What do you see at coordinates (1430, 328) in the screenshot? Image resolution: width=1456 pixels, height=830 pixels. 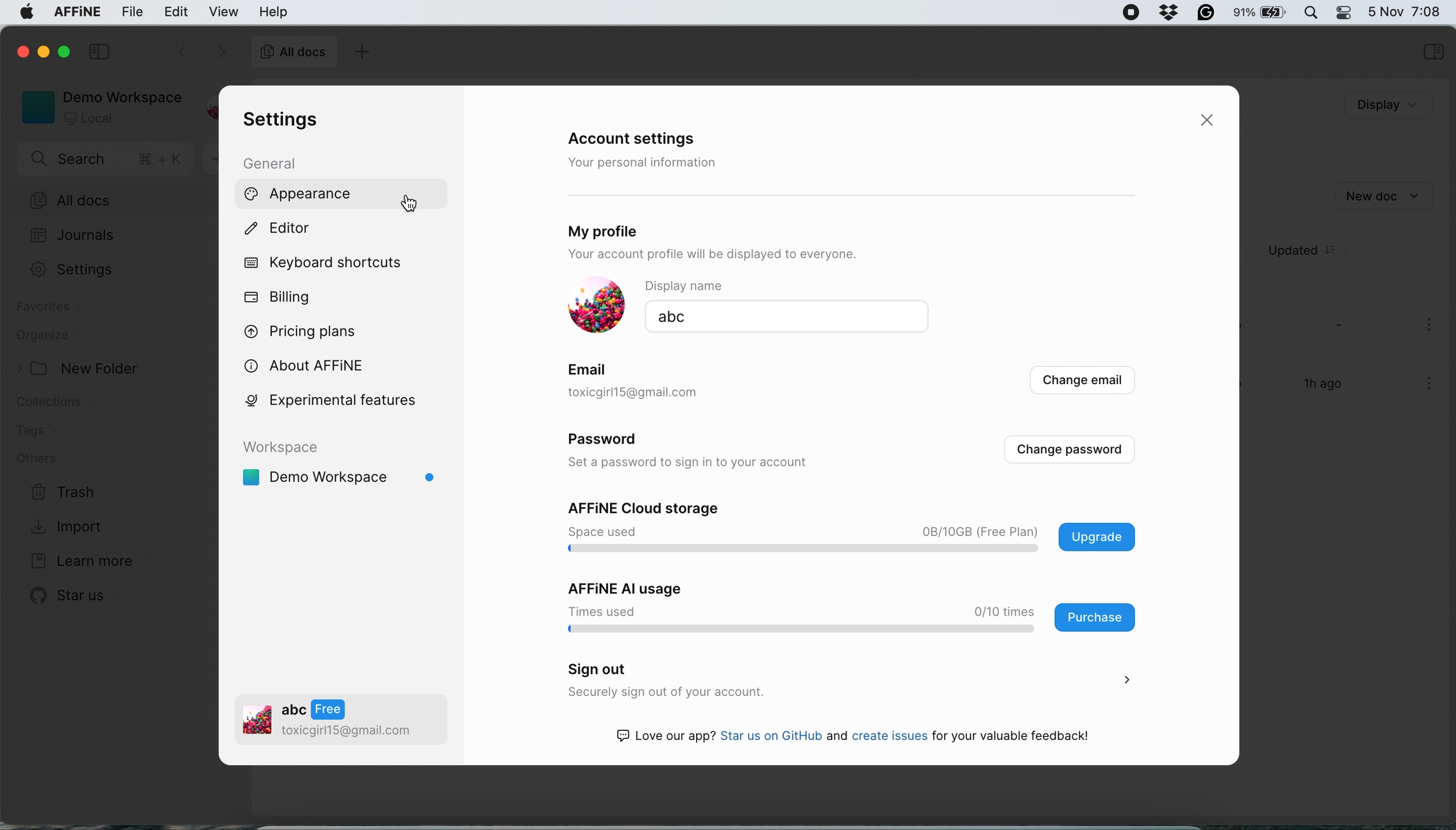 I see `more options` at bounding box center [1430, 328].